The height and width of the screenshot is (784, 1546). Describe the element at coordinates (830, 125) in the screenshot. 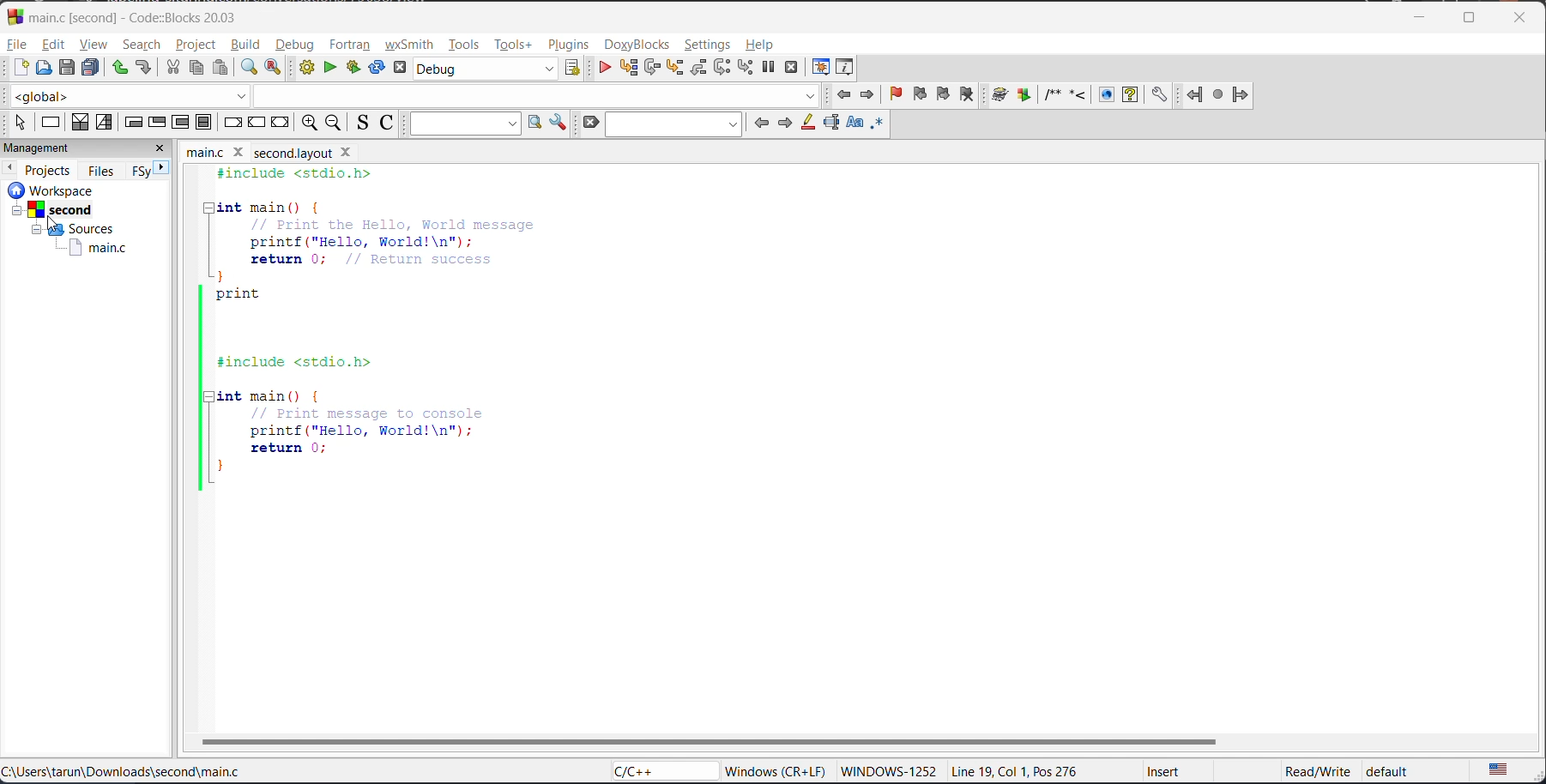

I see `selected text` at that location.